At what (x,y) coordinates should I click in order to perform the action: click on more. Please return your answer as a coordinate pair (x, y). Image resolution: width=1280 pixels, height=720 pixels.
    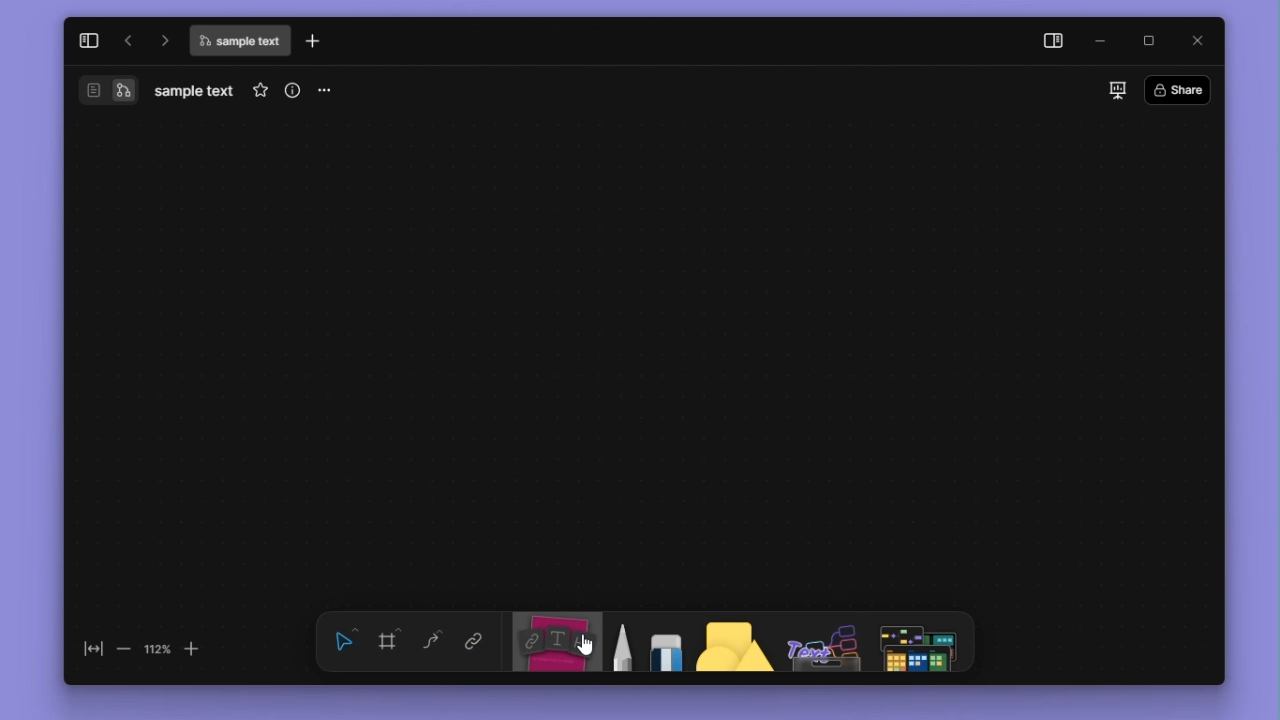
    Looking at the image, I should click on (917, 642).